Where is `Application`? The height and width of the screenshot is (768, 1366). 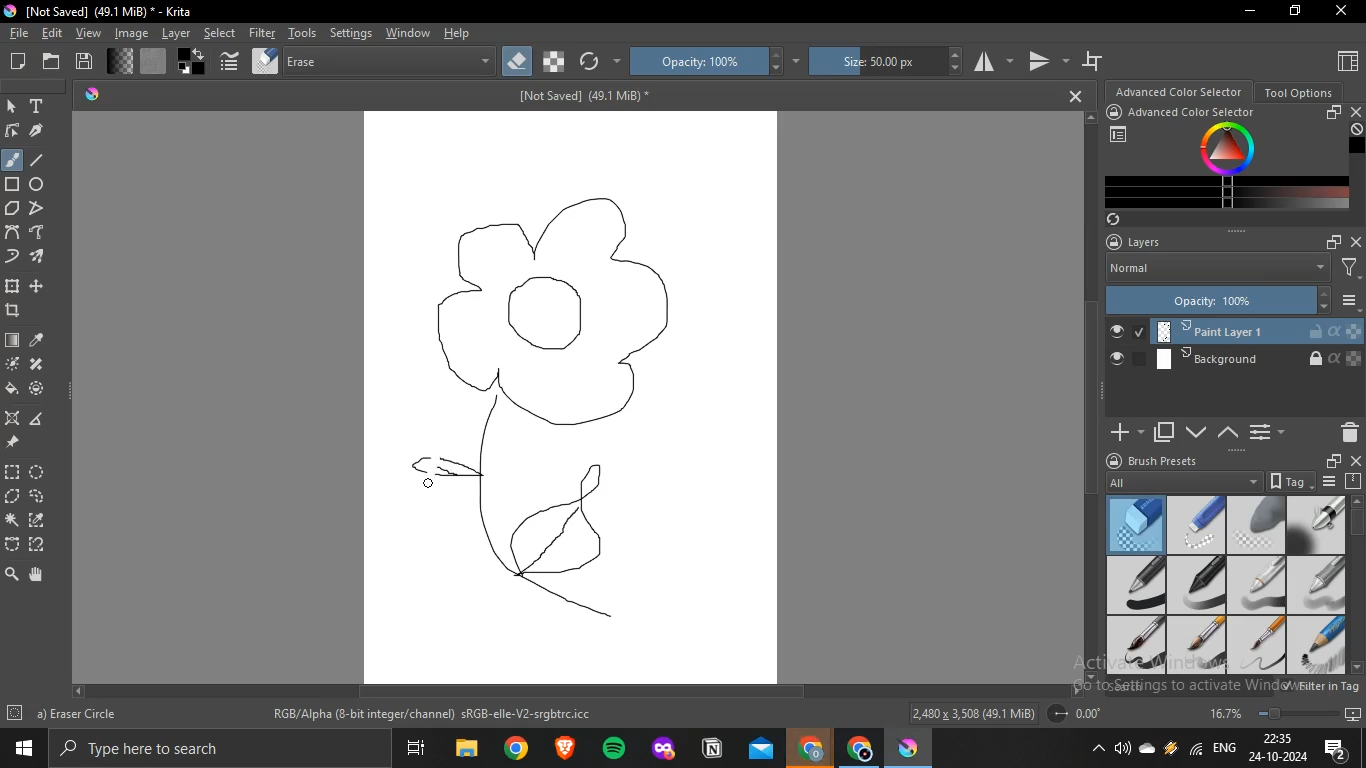 Application is located at coordinates (566, 747).